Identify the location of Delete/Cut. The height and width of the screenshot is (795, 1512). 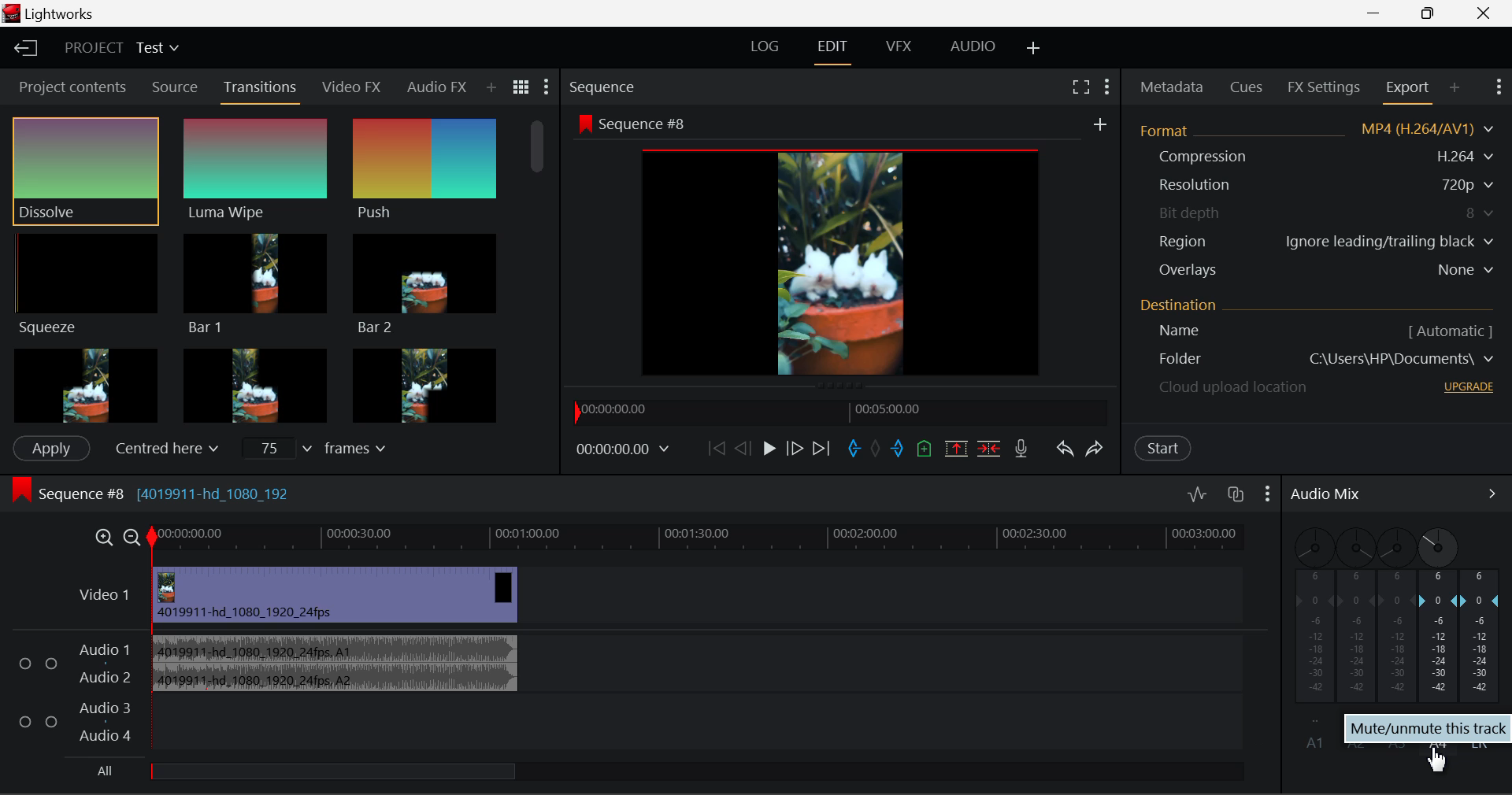
(991, 447).